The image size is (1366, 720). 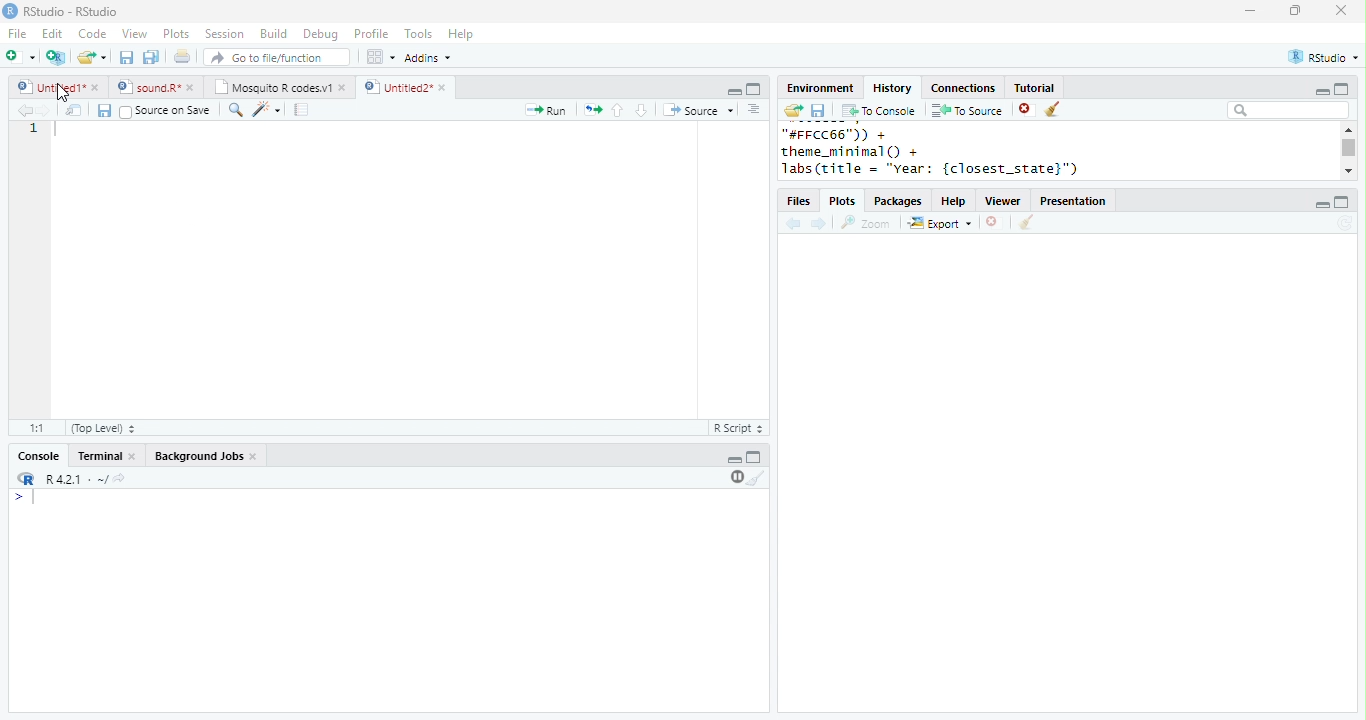 I want to click on Export, so click(x=939, y=222).